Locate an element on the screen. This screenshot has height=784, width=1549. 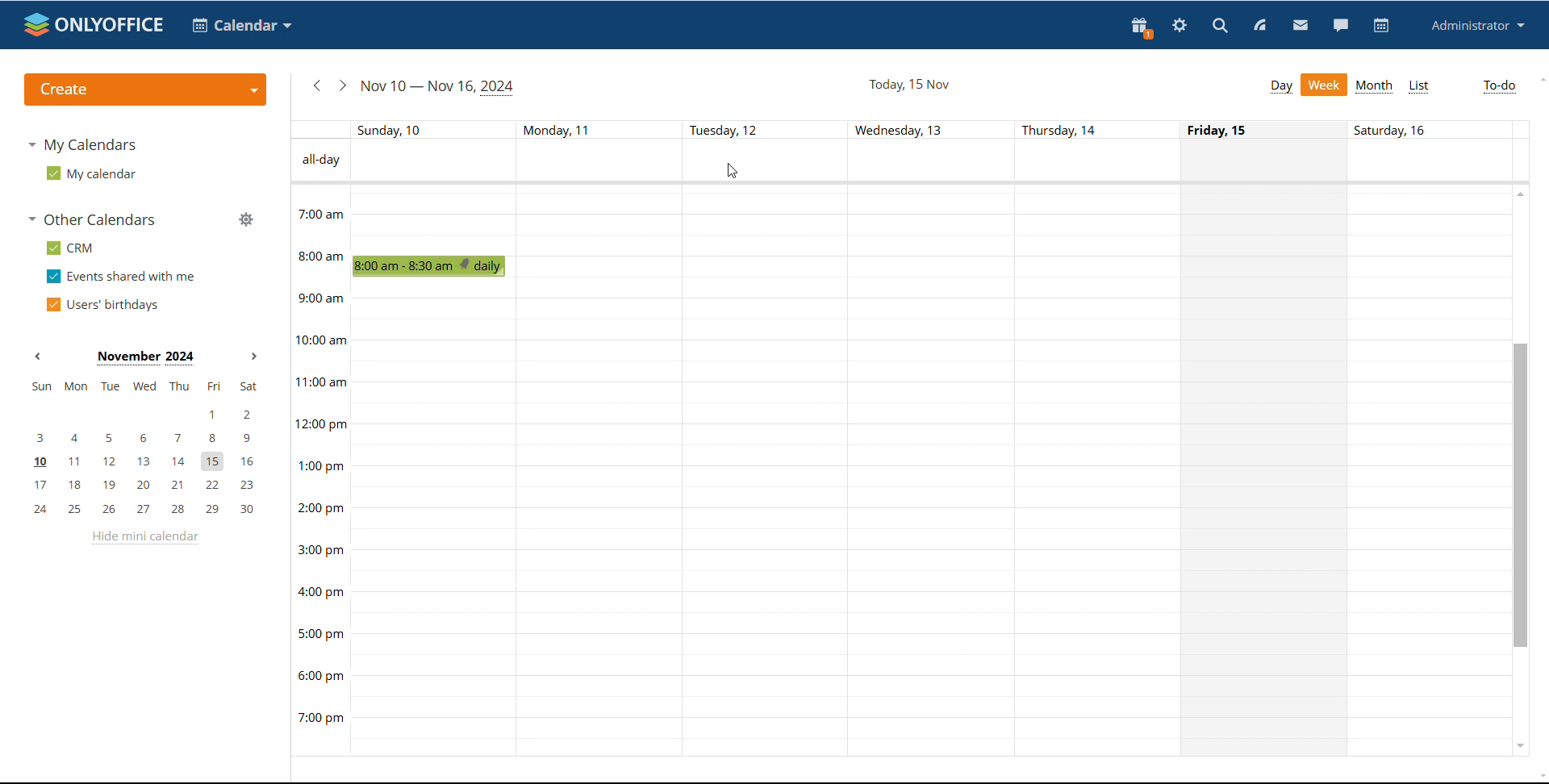
manage is located at coordinates (246, 219).